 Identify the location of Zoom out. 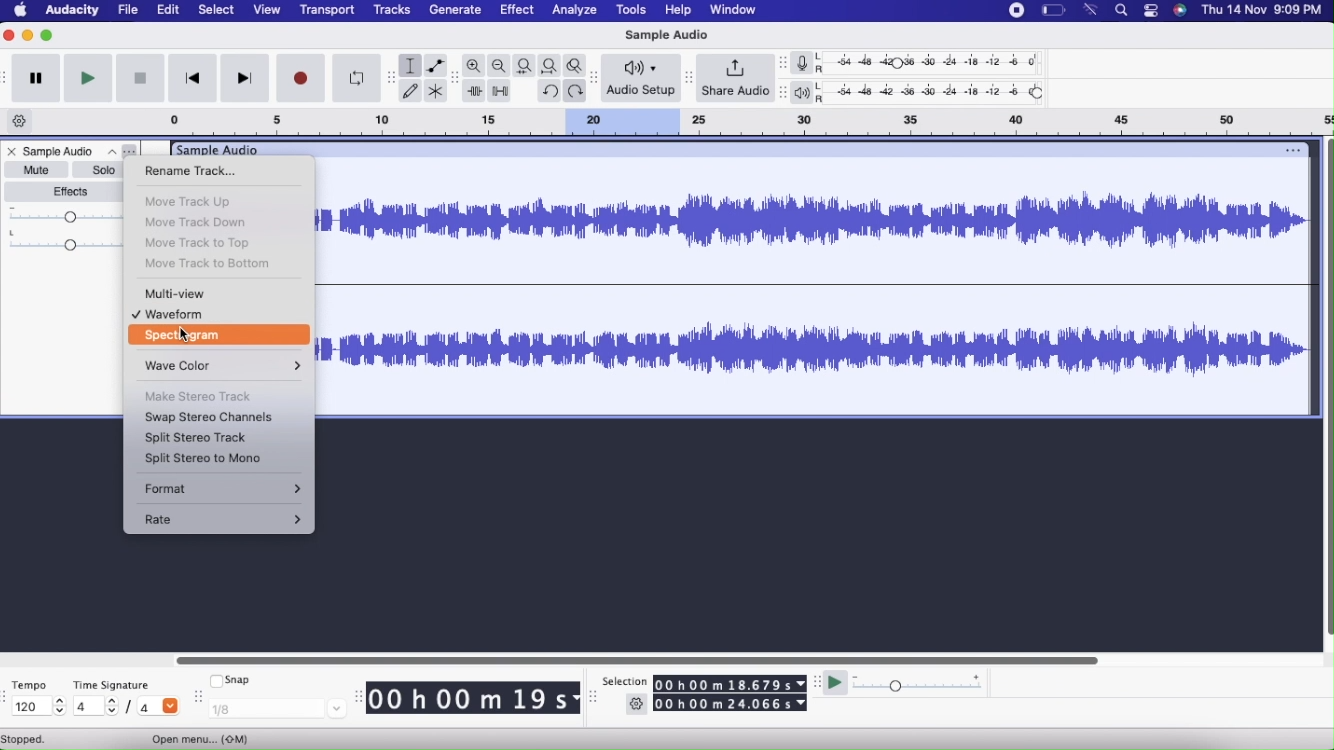
(498, 64).